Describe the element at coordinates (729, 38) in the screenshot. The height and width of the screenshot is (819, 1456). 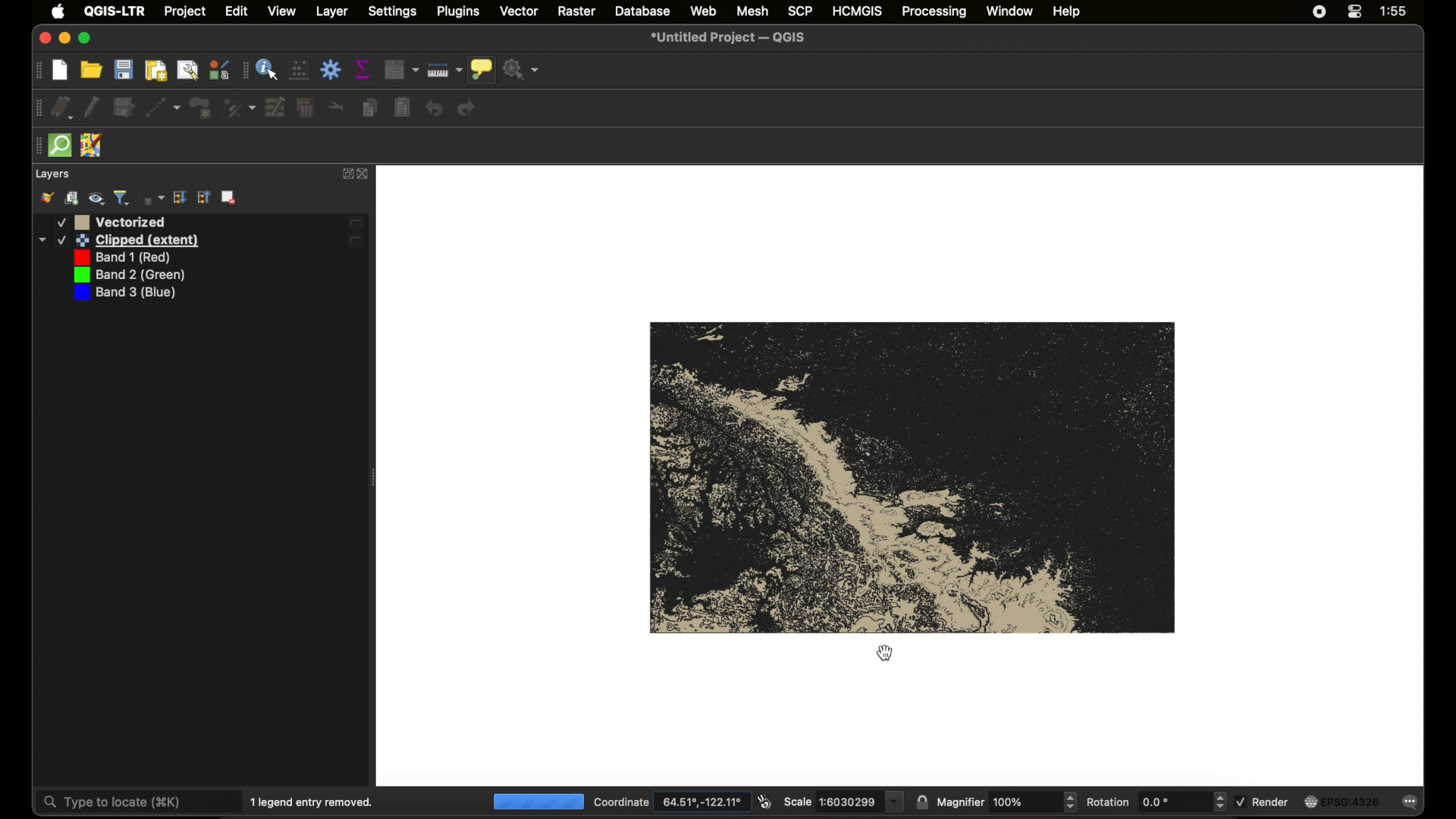
I see `untitled project  - QGIS` at that location.